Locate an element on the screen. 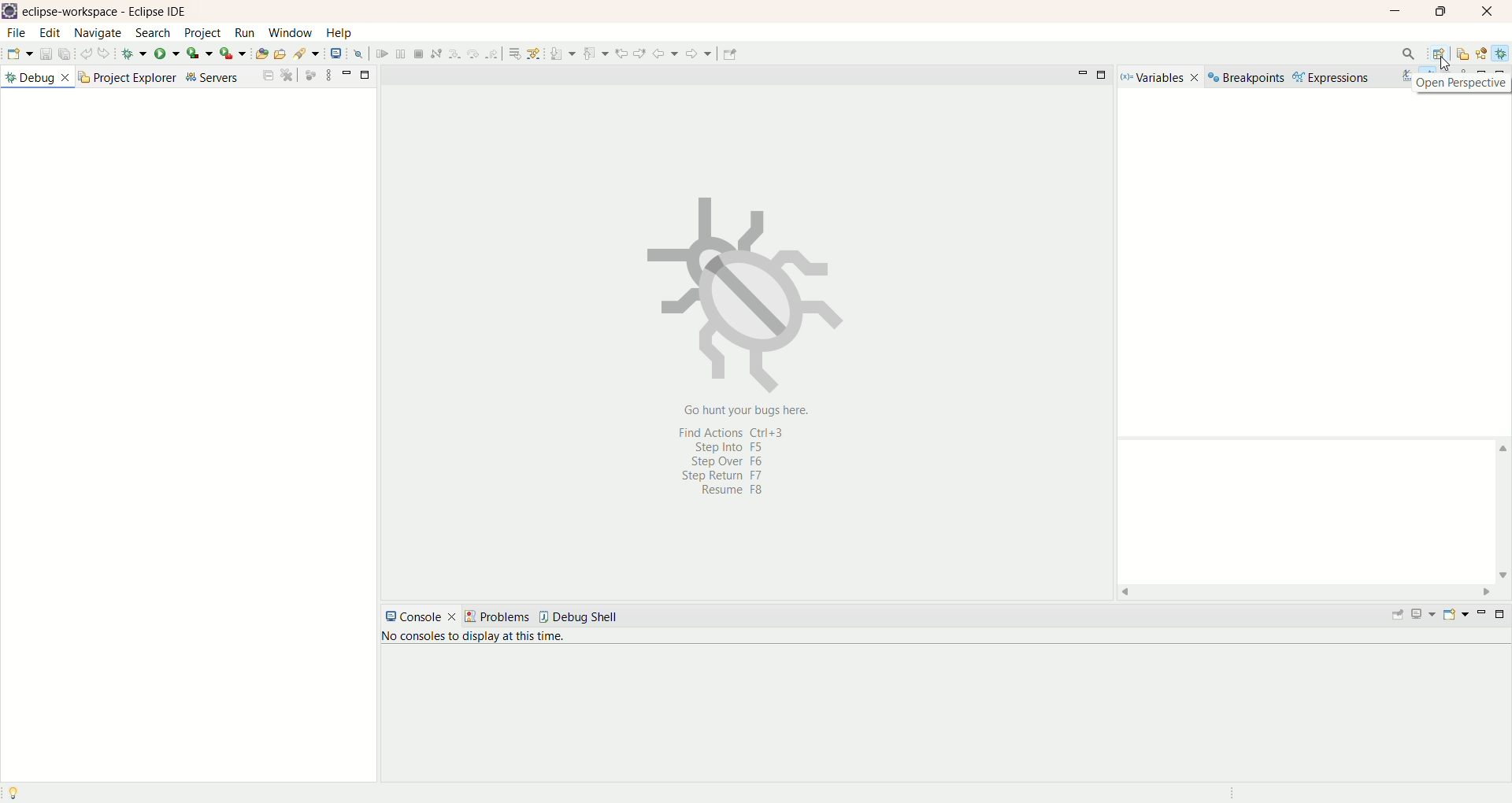  open console is located at coordinates (1455, 614).